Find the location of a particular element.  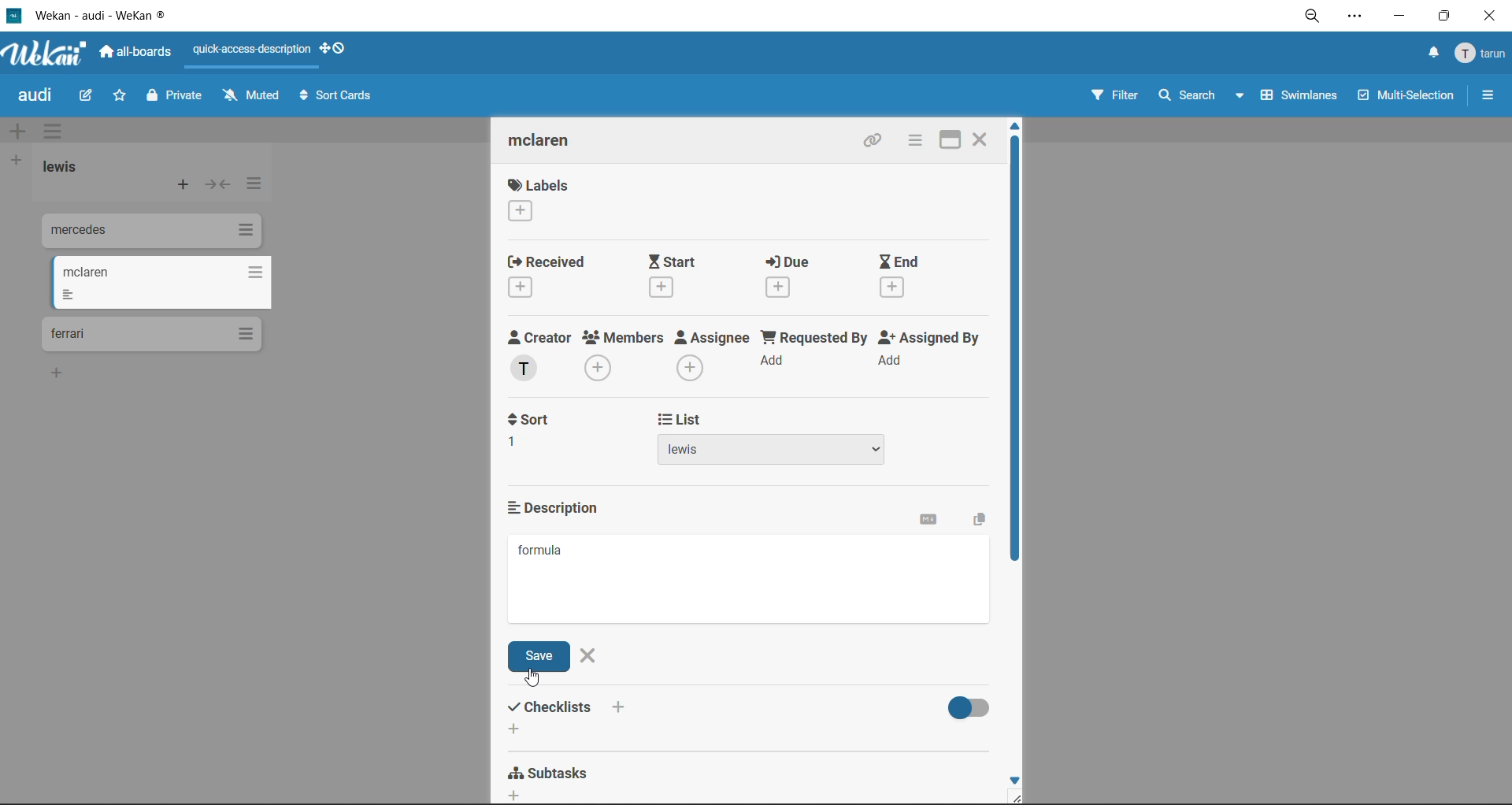

copy is located at coordinates (976, 521).